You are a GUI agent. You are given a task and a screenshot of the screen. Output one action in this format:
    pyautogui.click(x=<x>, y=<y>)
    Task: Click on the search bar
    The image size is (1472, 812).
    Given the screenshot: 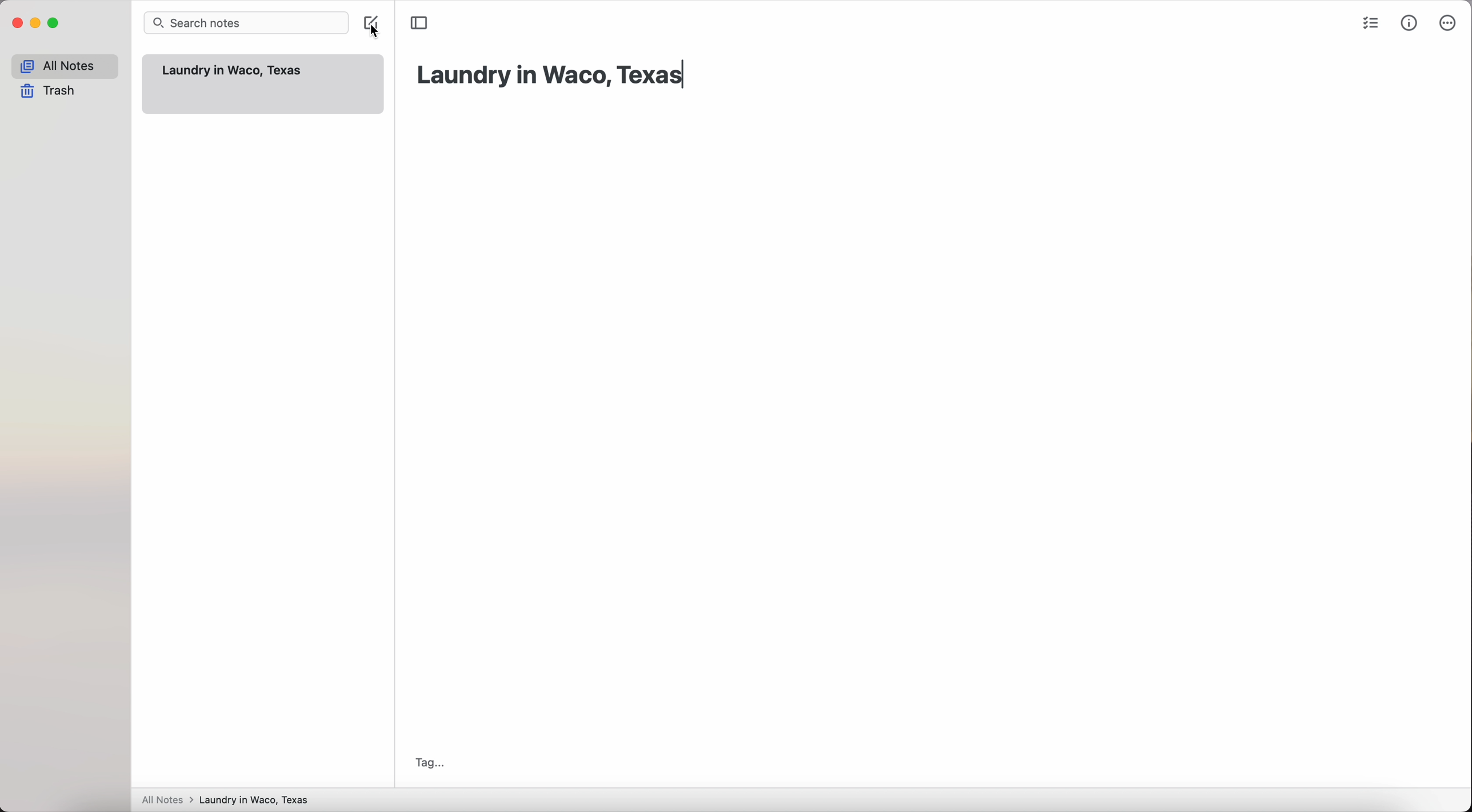 What is the action you would take?
    pyautogui.click(x=249, y=23)
    